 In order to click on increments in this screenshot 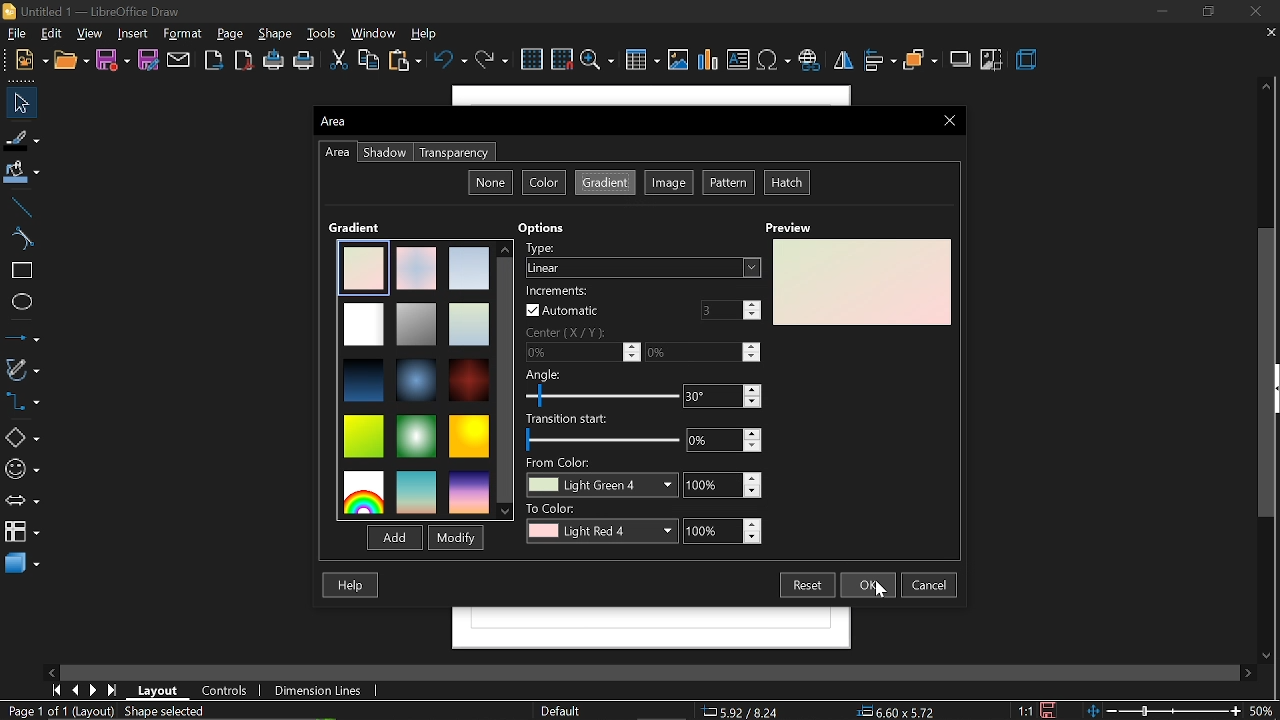, I will do `click(726, 310)`.